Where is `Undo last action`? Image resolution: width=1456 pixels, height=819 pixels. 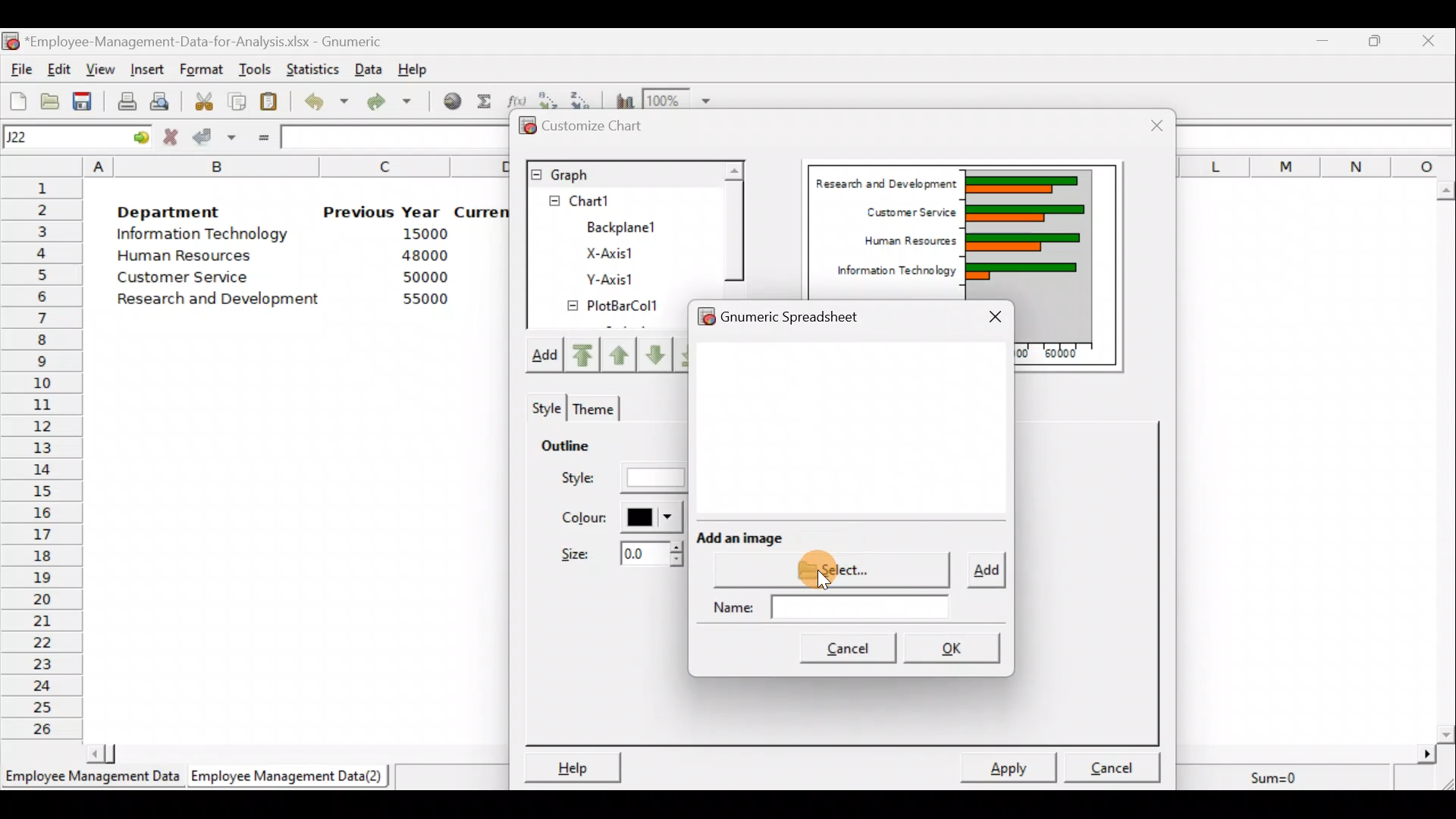 Undo last action is located at coordinates (328, 105).